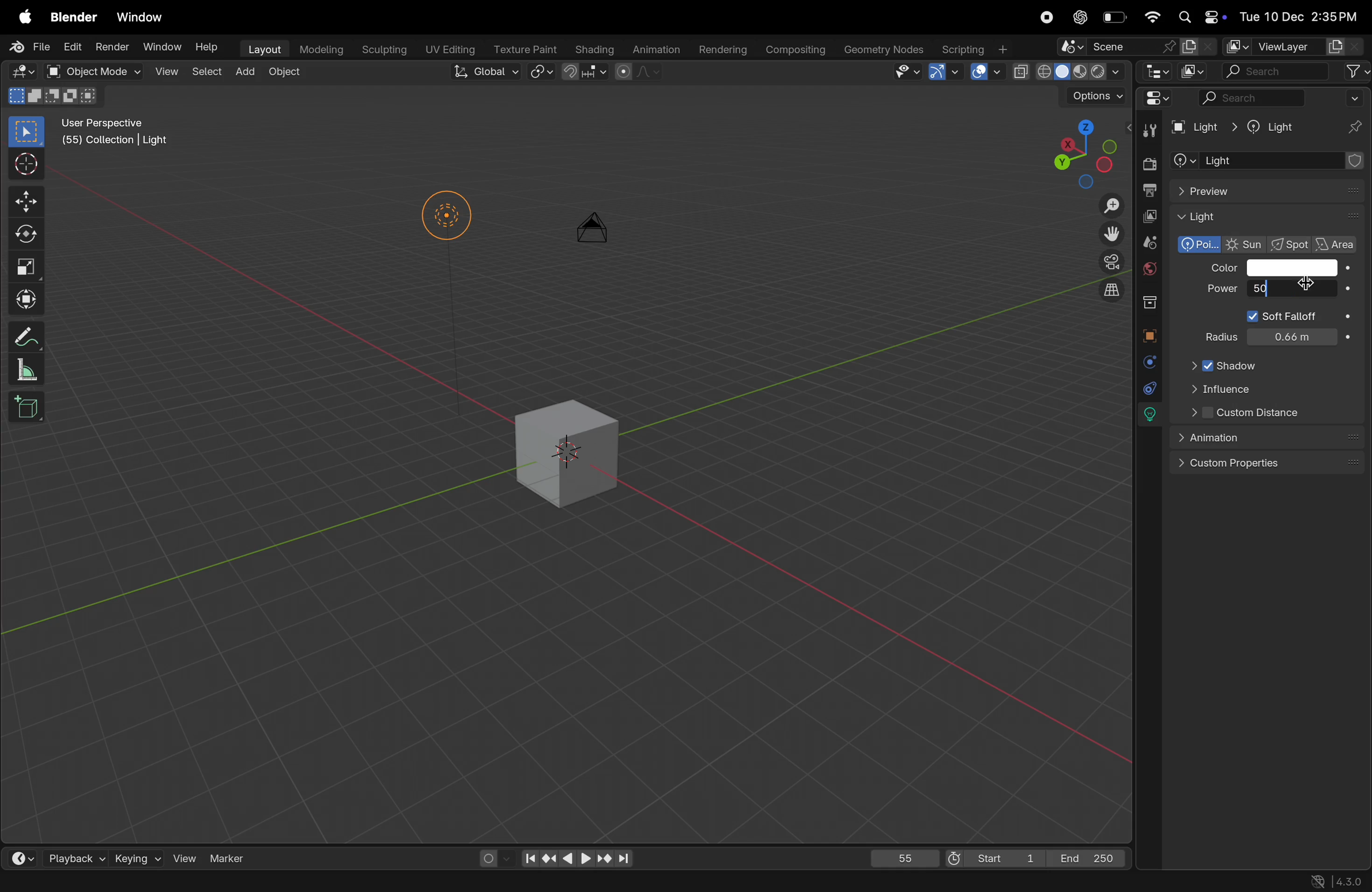  What do you see at coordinates (1148, 421) in the screenshot?
I see `lights` at bounding box center [1148, 421].